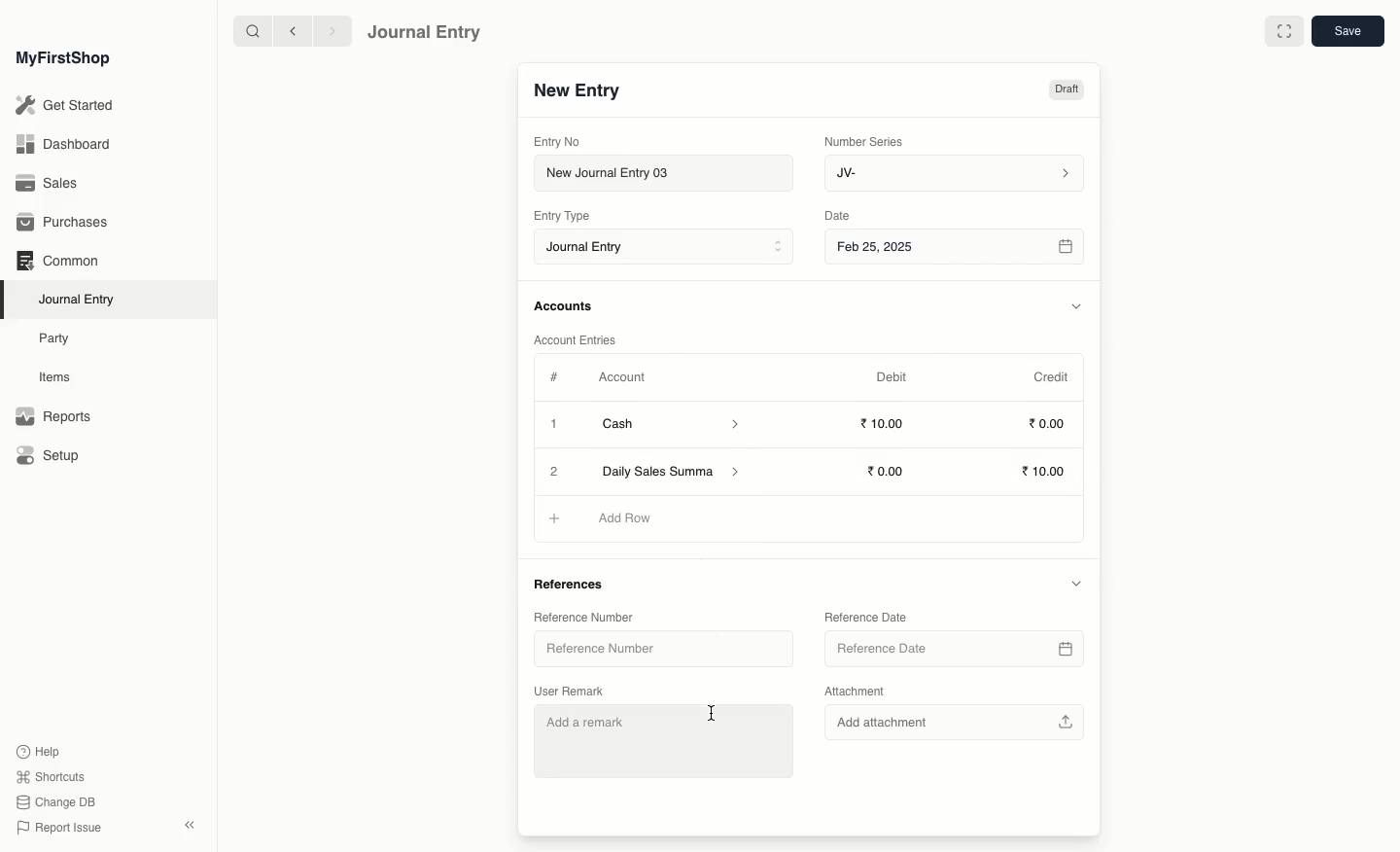  What do you see at coordinates (864, 140) in the screenshot?
I see `‘Number Series` at bounding box center [864, 140].